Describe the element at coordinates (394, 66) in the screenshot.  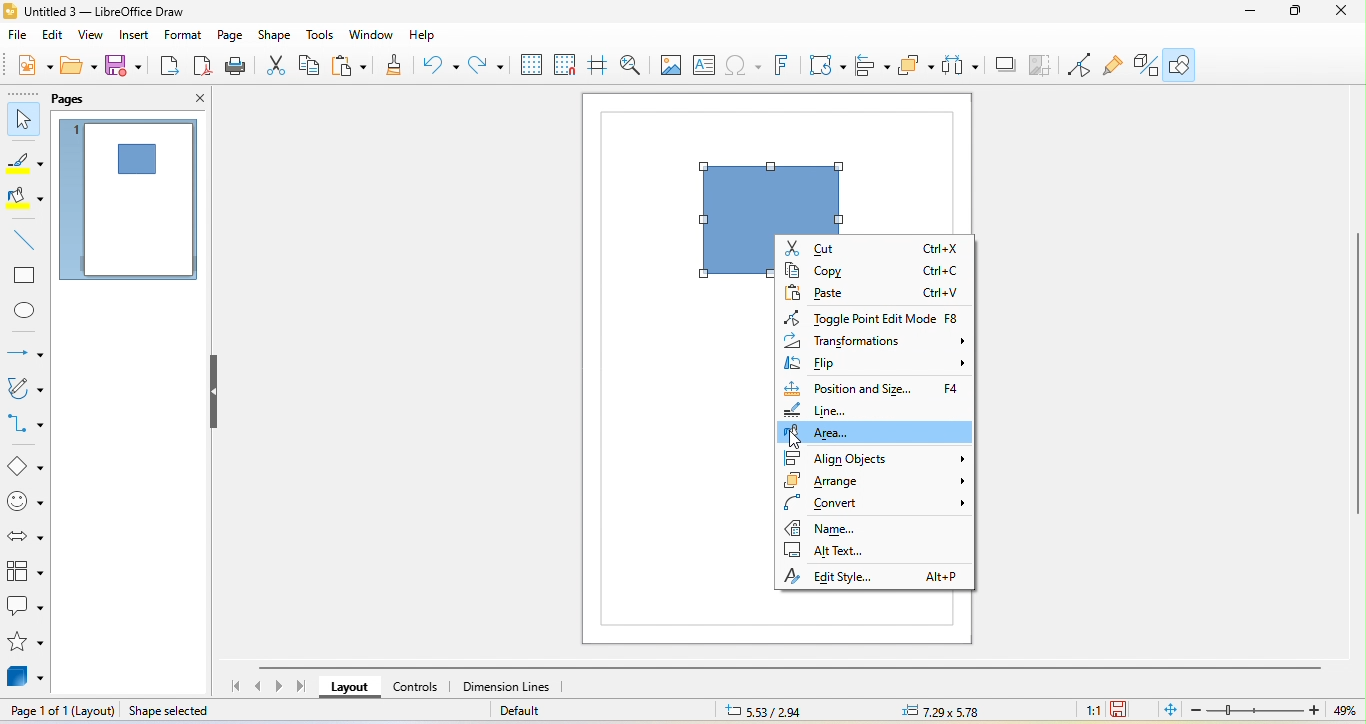
I see `clone formatting` at that location.